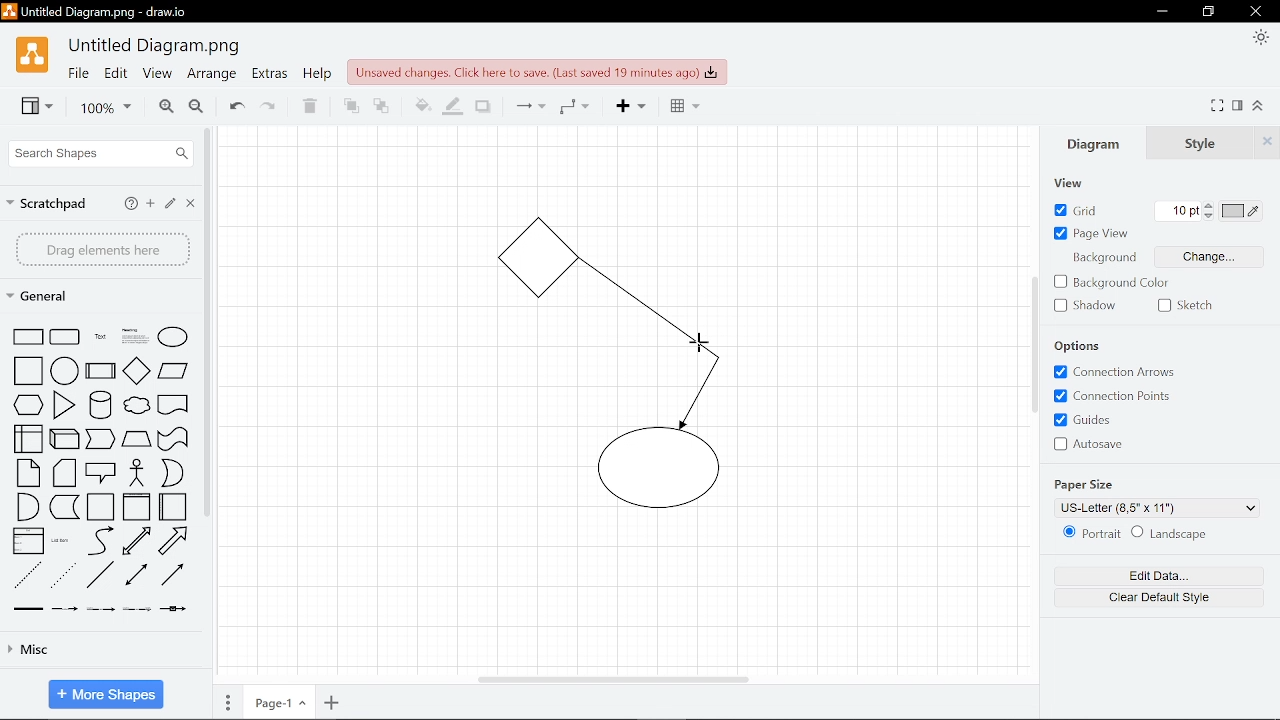 The image size is (1280, 720). What do you see at coordinates (196, 107) in the screenshot?
I see `Zoom out` at bounding box center [196, 107].